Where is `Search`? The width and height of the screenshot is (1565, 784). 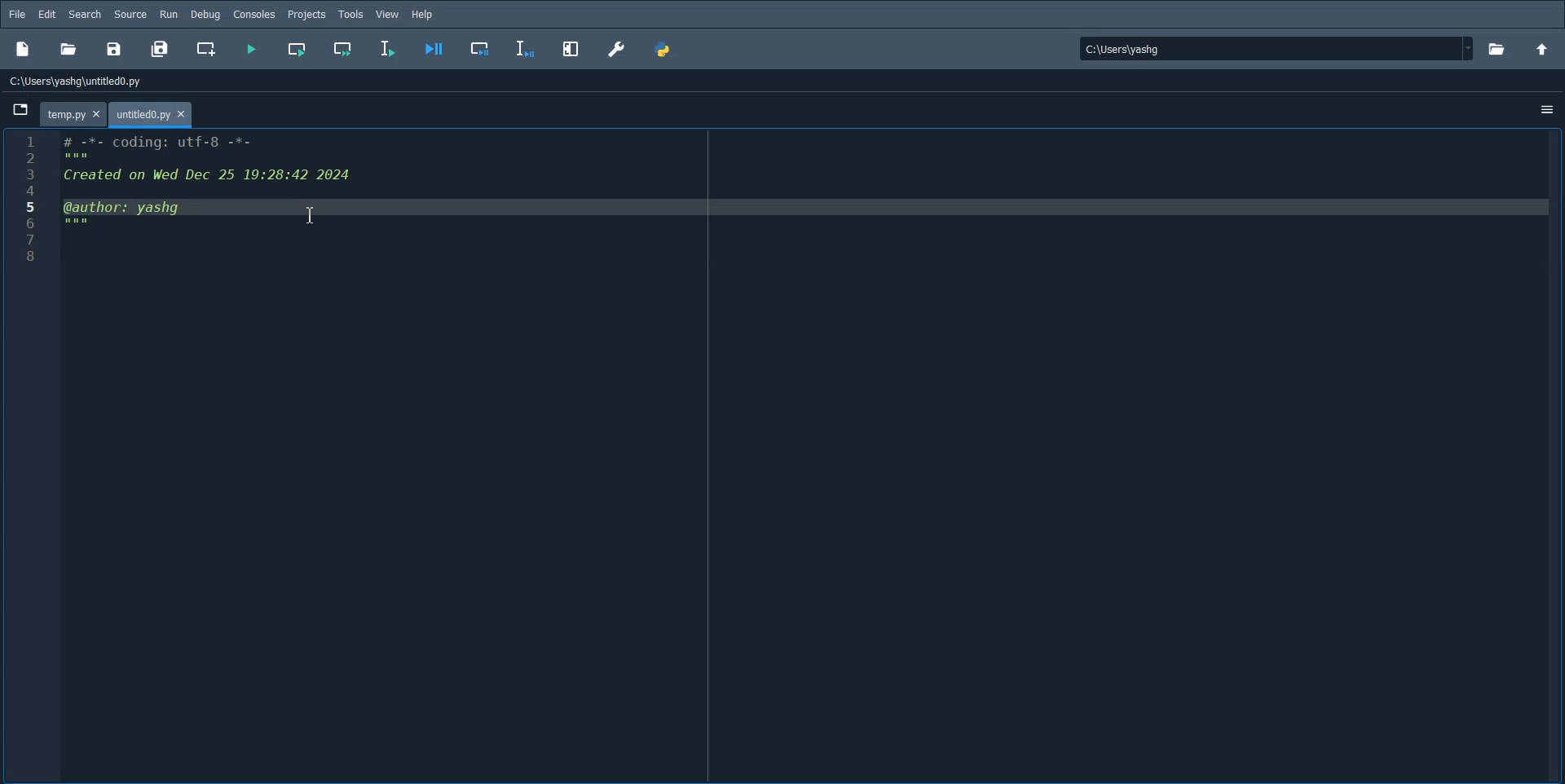 Search is located at coordinates (86, 14).